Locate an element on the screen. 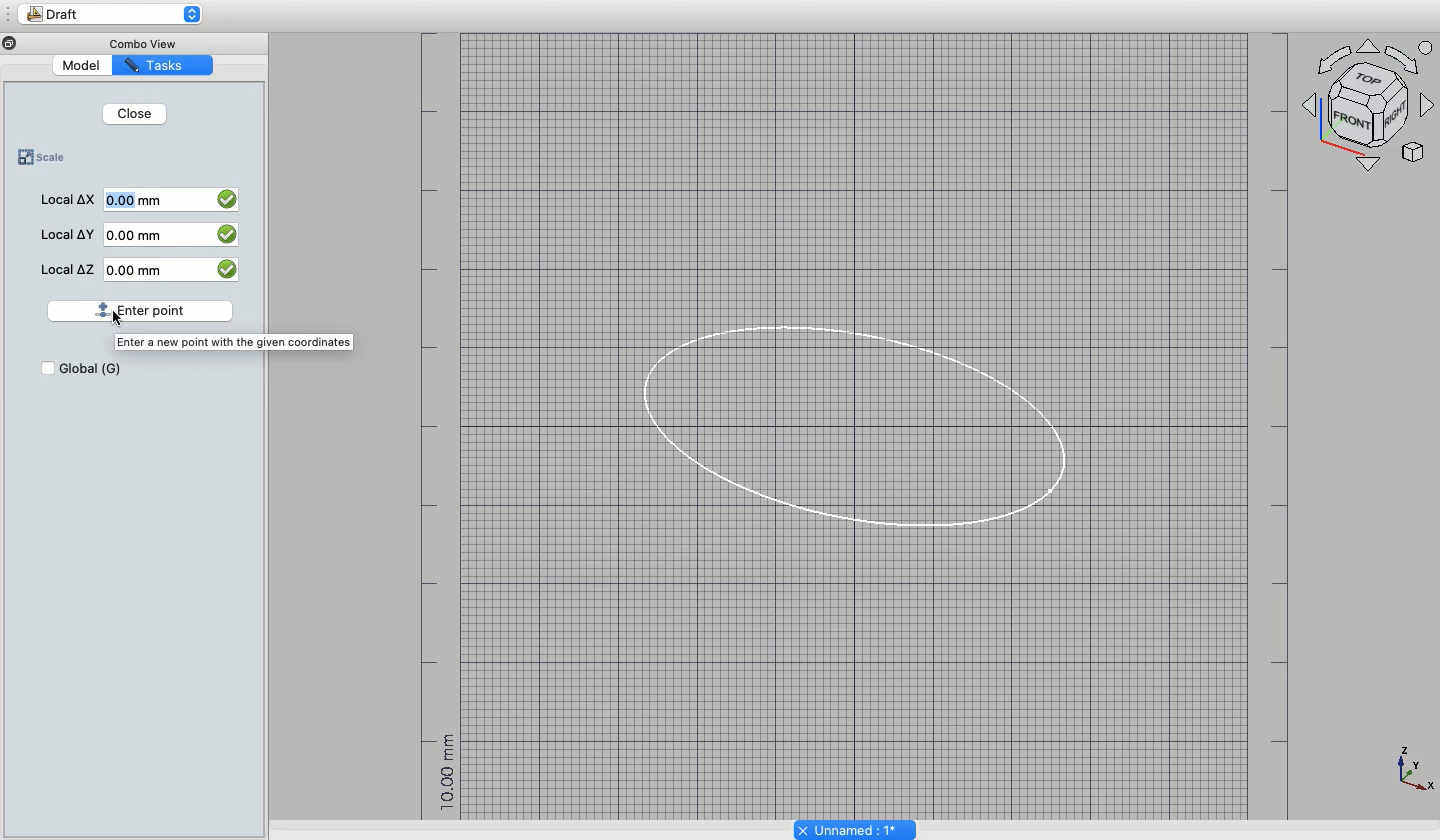 The width and height of the screenshot is (1440, 840). Scale is located at coordinates (41, 157).